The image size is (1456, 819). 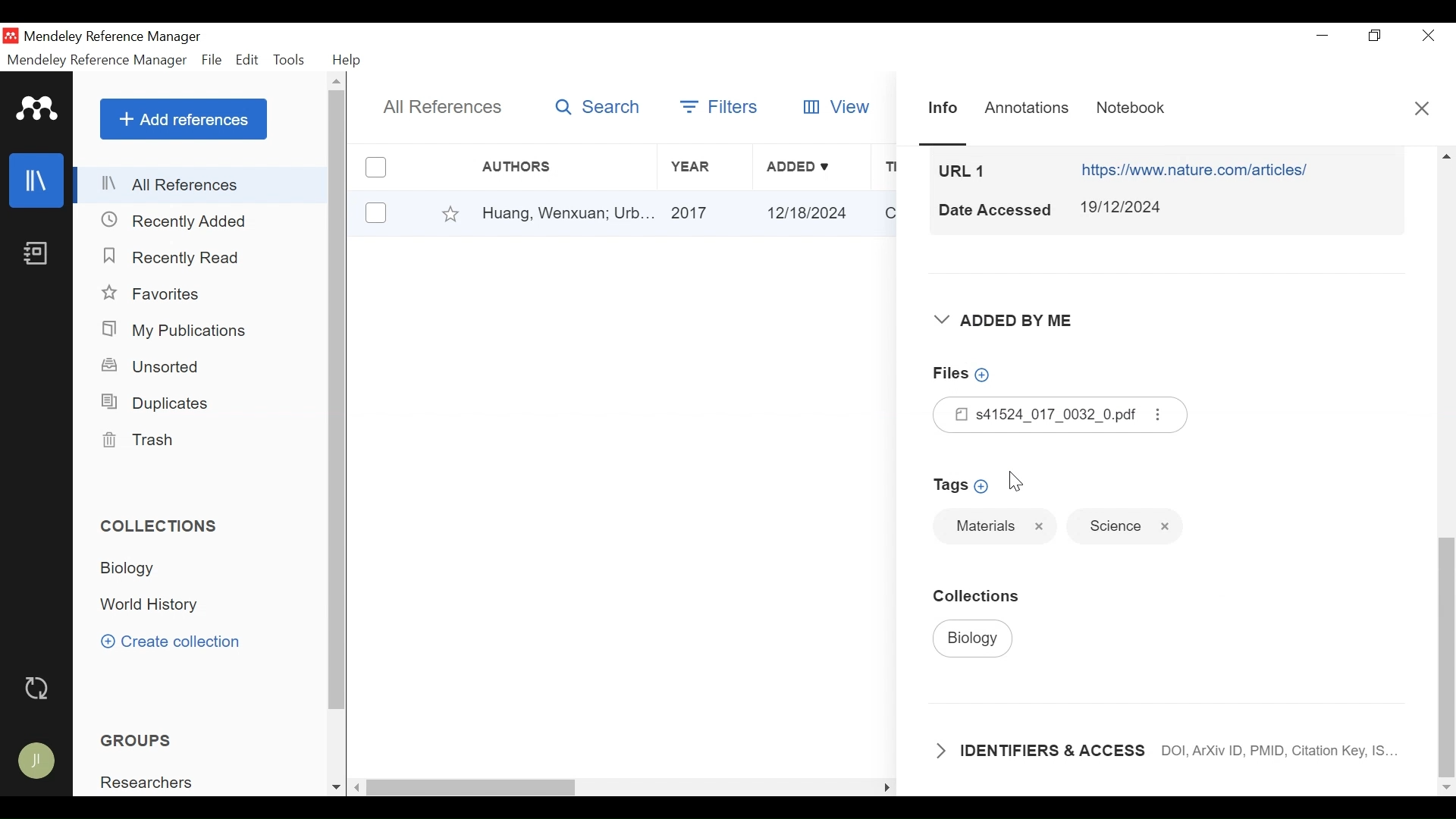 I want to click on Authors, so click(x=532, y=167).